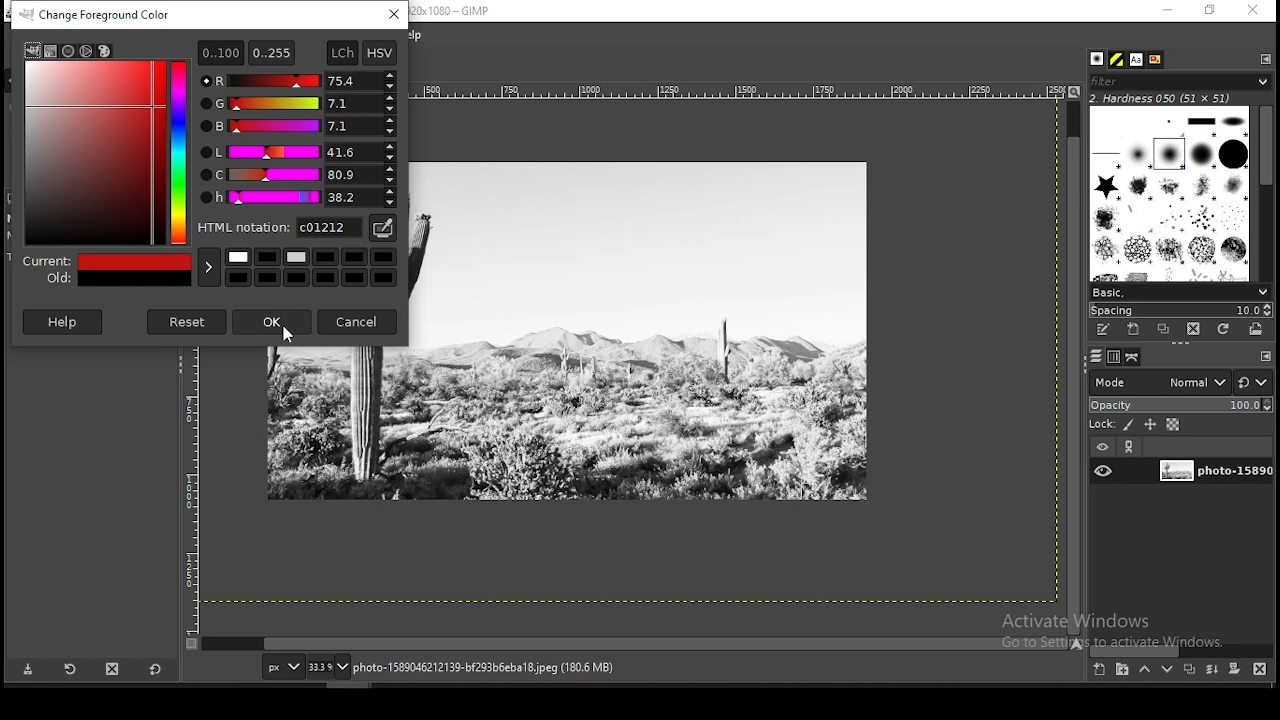 This screenshot has width=1280, height=720. Describe the element at coordinates (1104, 471) in the screenshot. I see `layer visibility on/off` at that location.